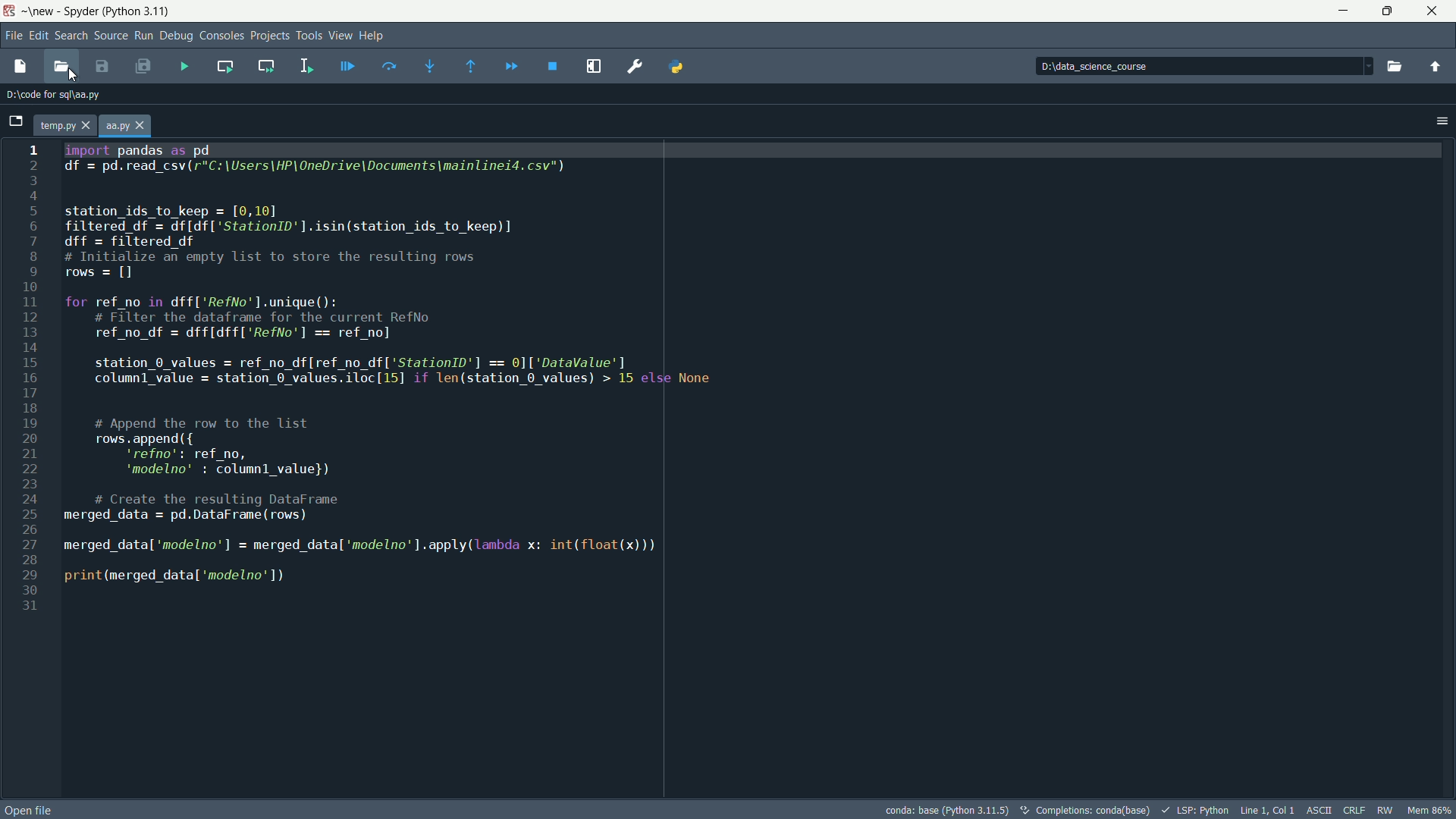 The height and width of the screenshot is (819, 1456). Describe the element at coordinates (1320, 808) in the screenshot. I see `file encoding` at that location.